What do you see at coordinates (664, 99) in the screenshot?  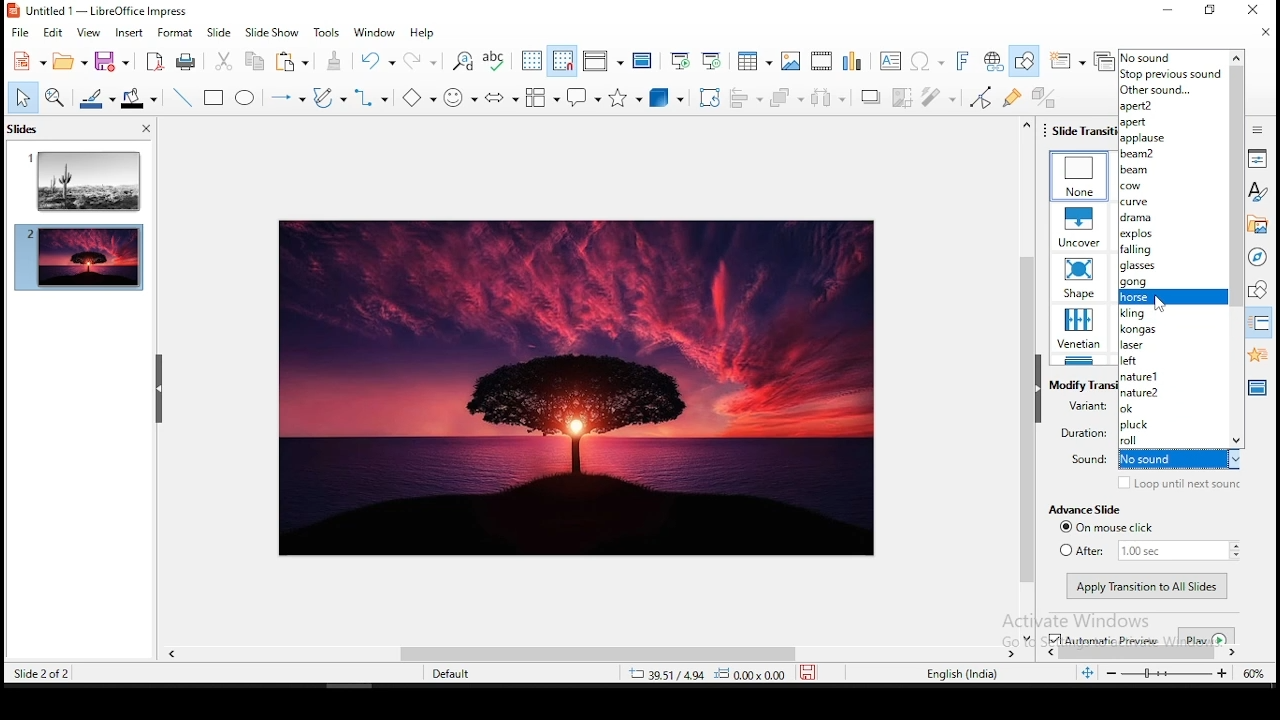 I see `3D objects` at bounding box center [664, 99].